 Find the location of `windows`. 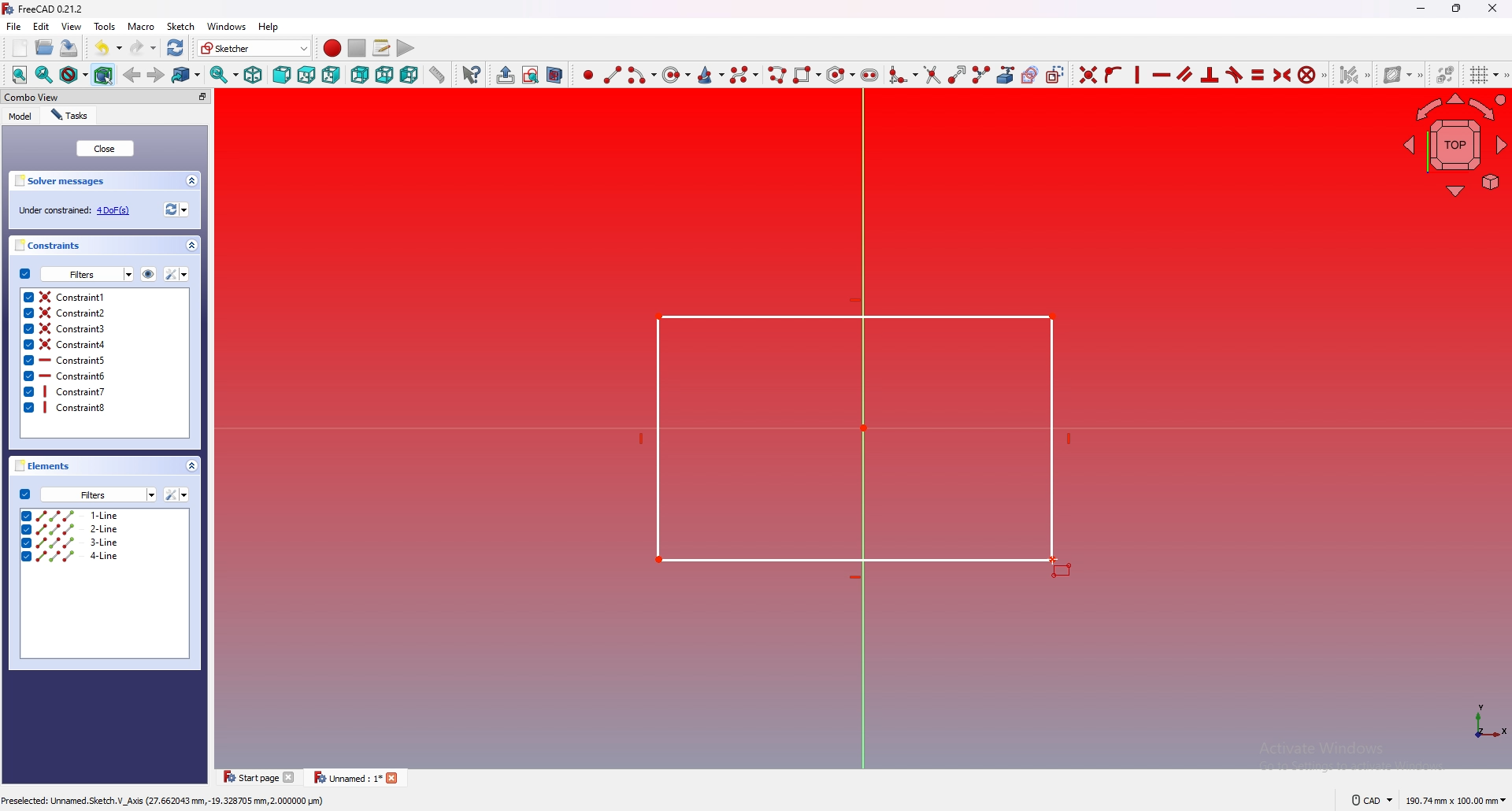

windows is located at coordinates (226, 26).